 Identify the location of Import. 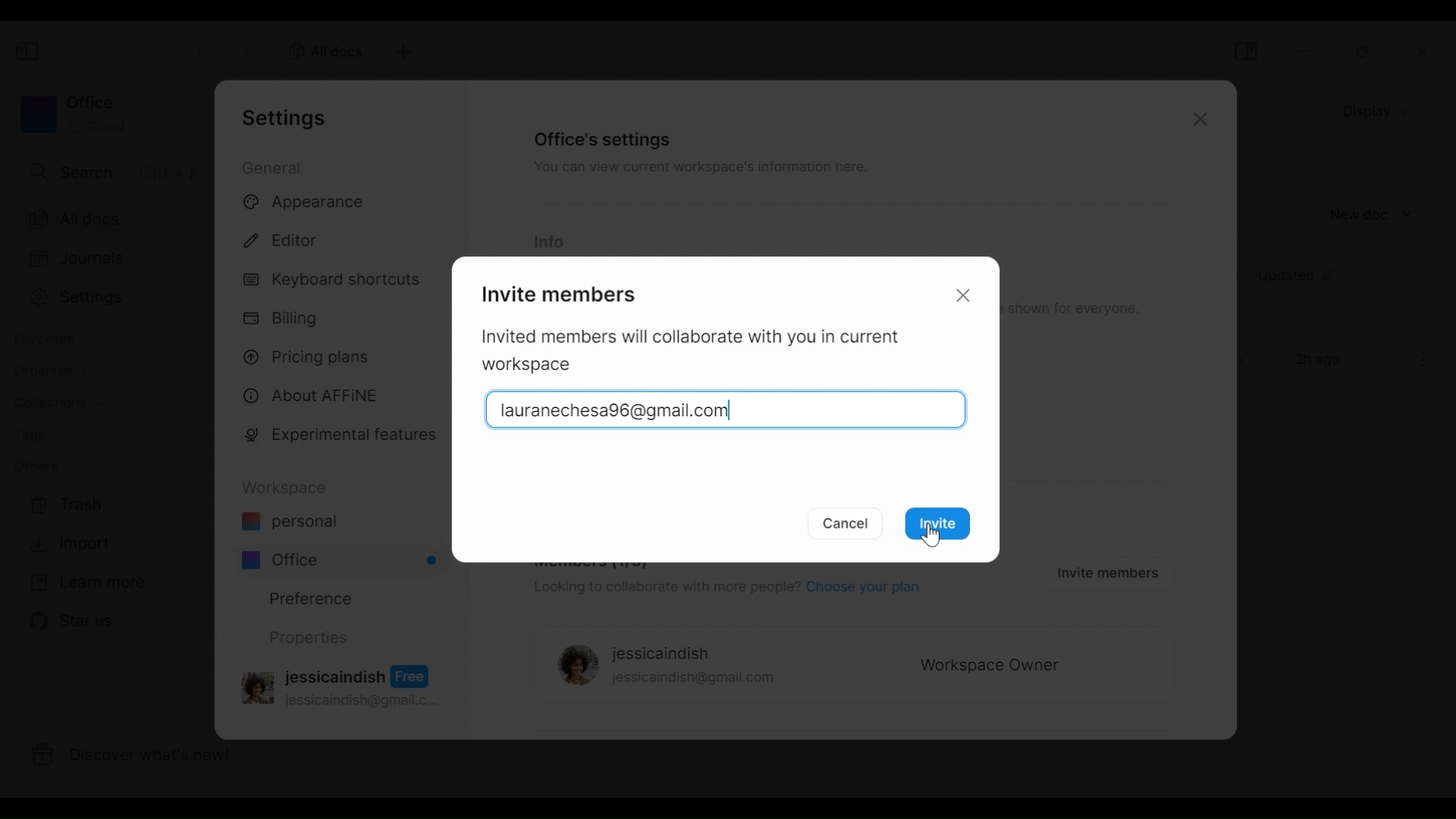
(67, 544).